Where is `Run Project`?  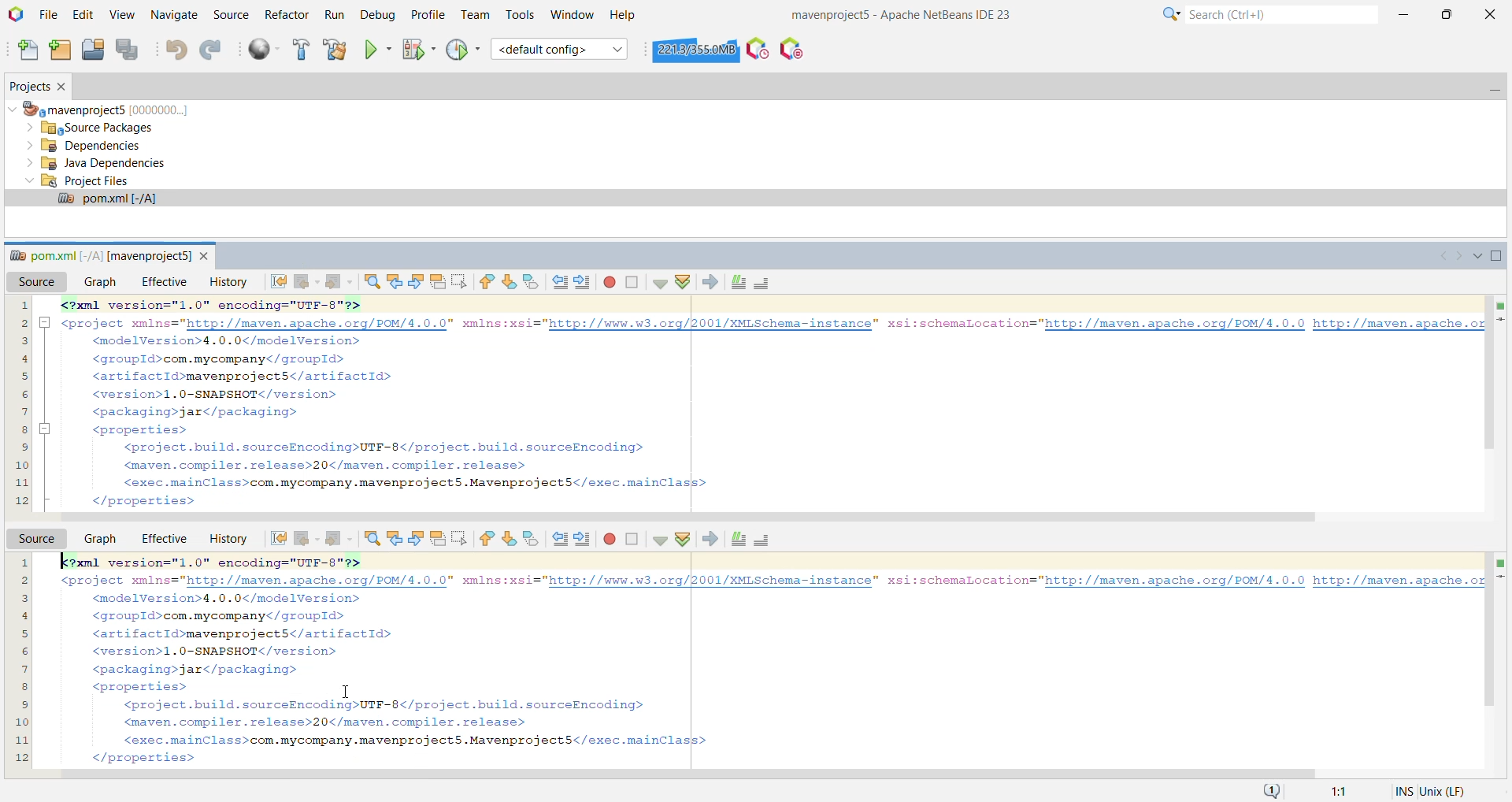 Run Project is located at coordinates (377, 50).